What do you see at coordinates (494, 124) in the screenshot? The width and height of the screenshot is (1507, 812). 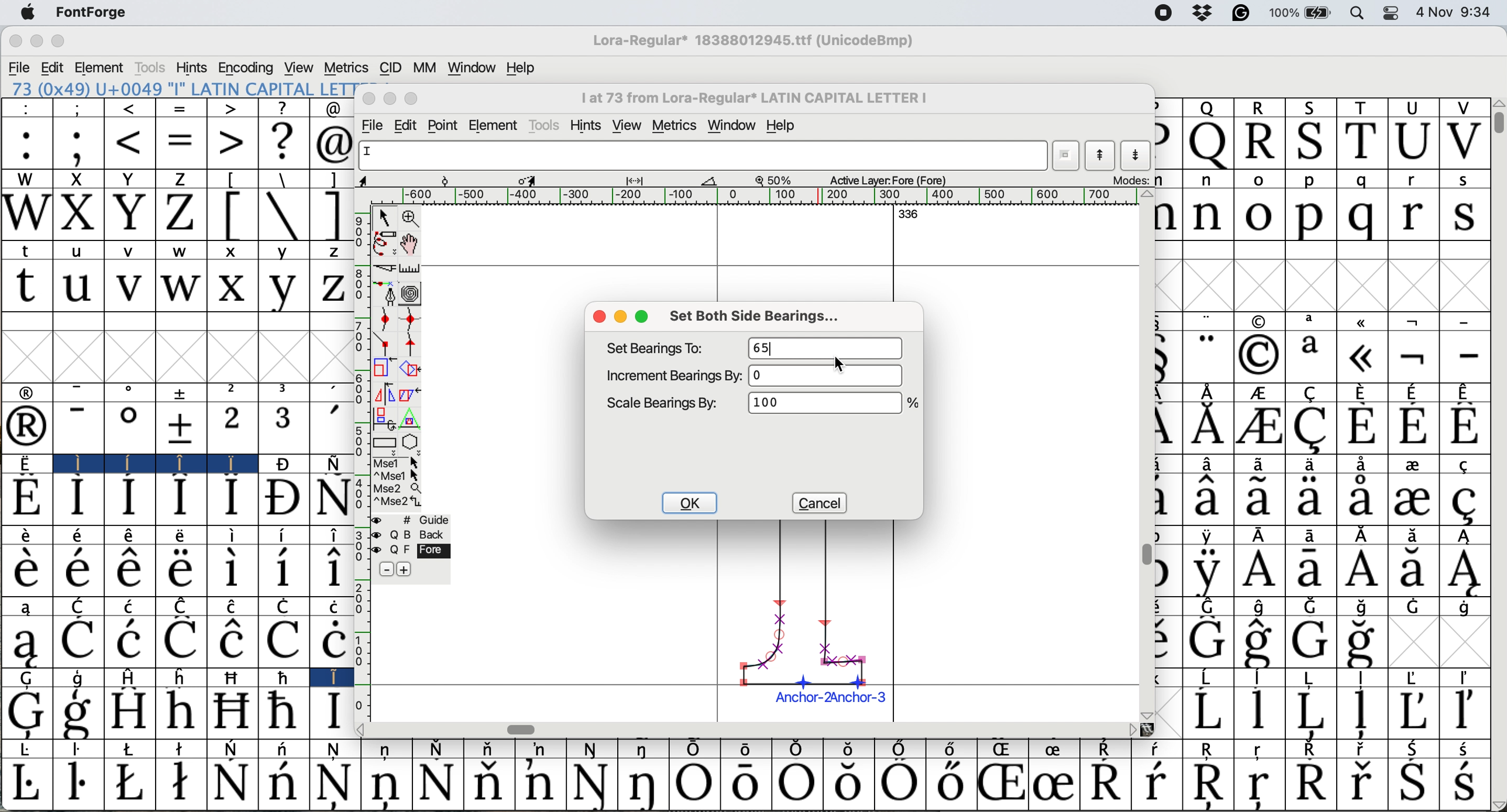 I see `element` at bounding box center [494, 124].